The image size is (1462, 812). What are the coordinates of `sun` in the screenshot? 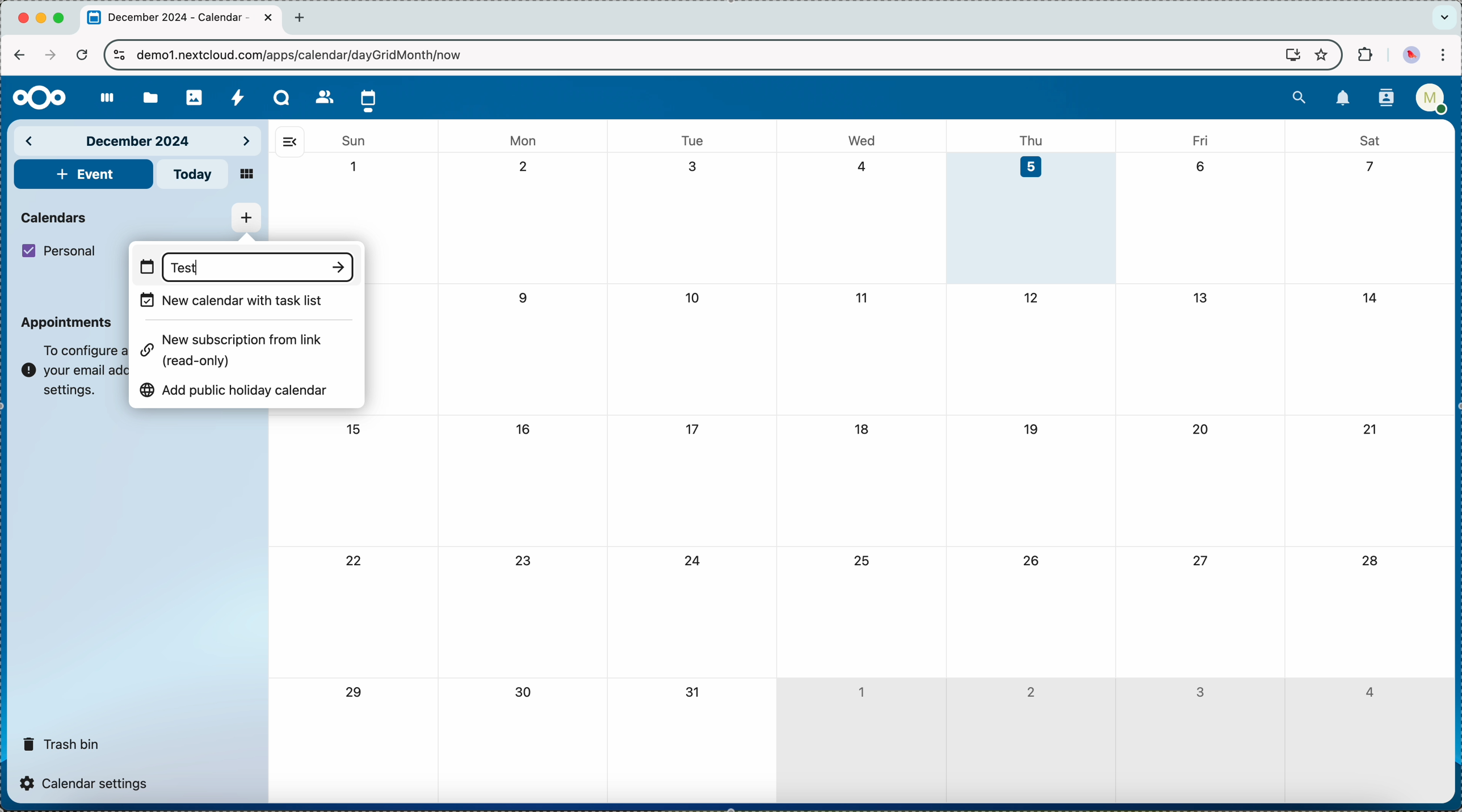 It's located at (352, 141).